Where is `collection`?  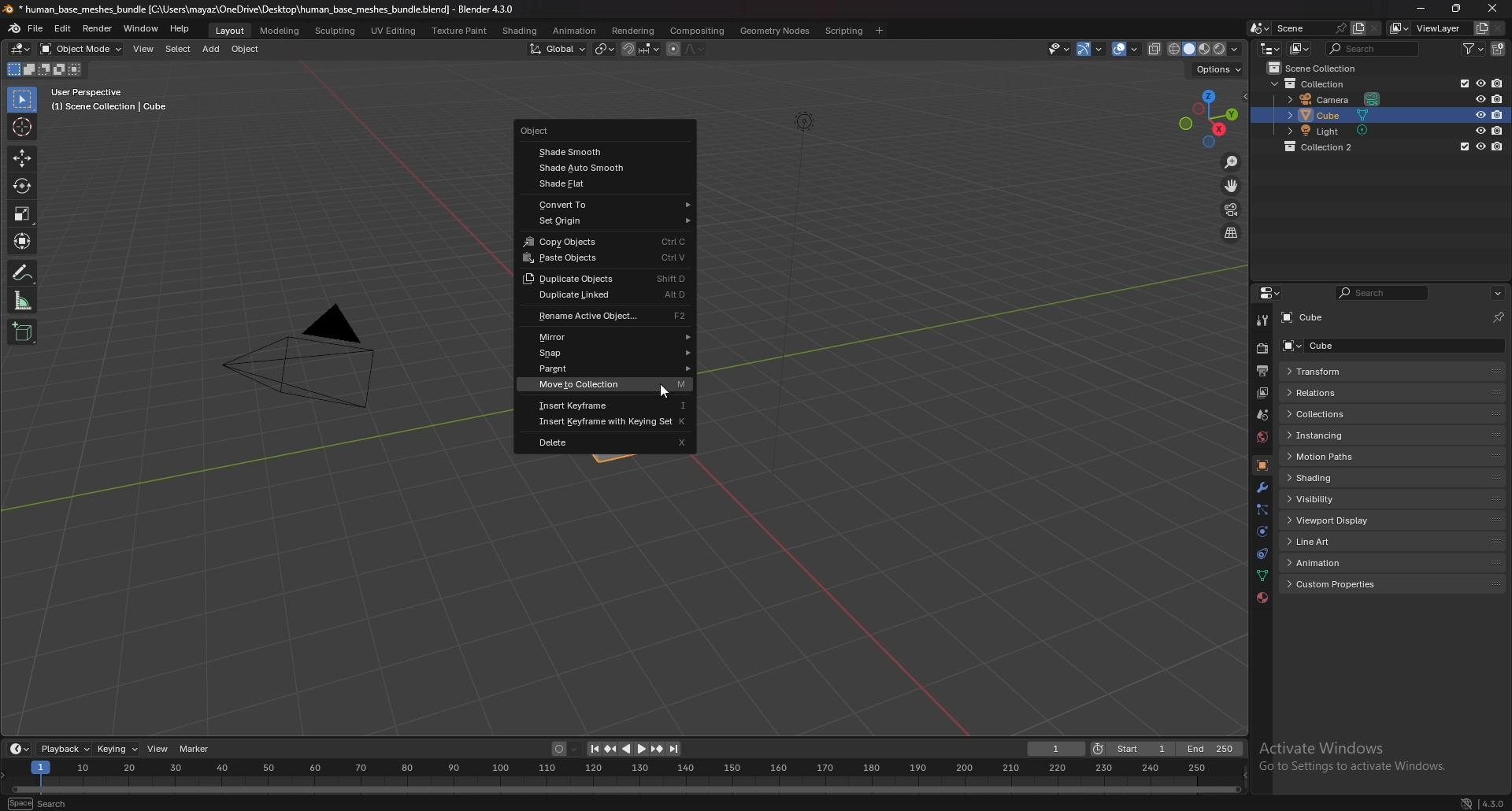 collection is located at coordinates (1329, 146).